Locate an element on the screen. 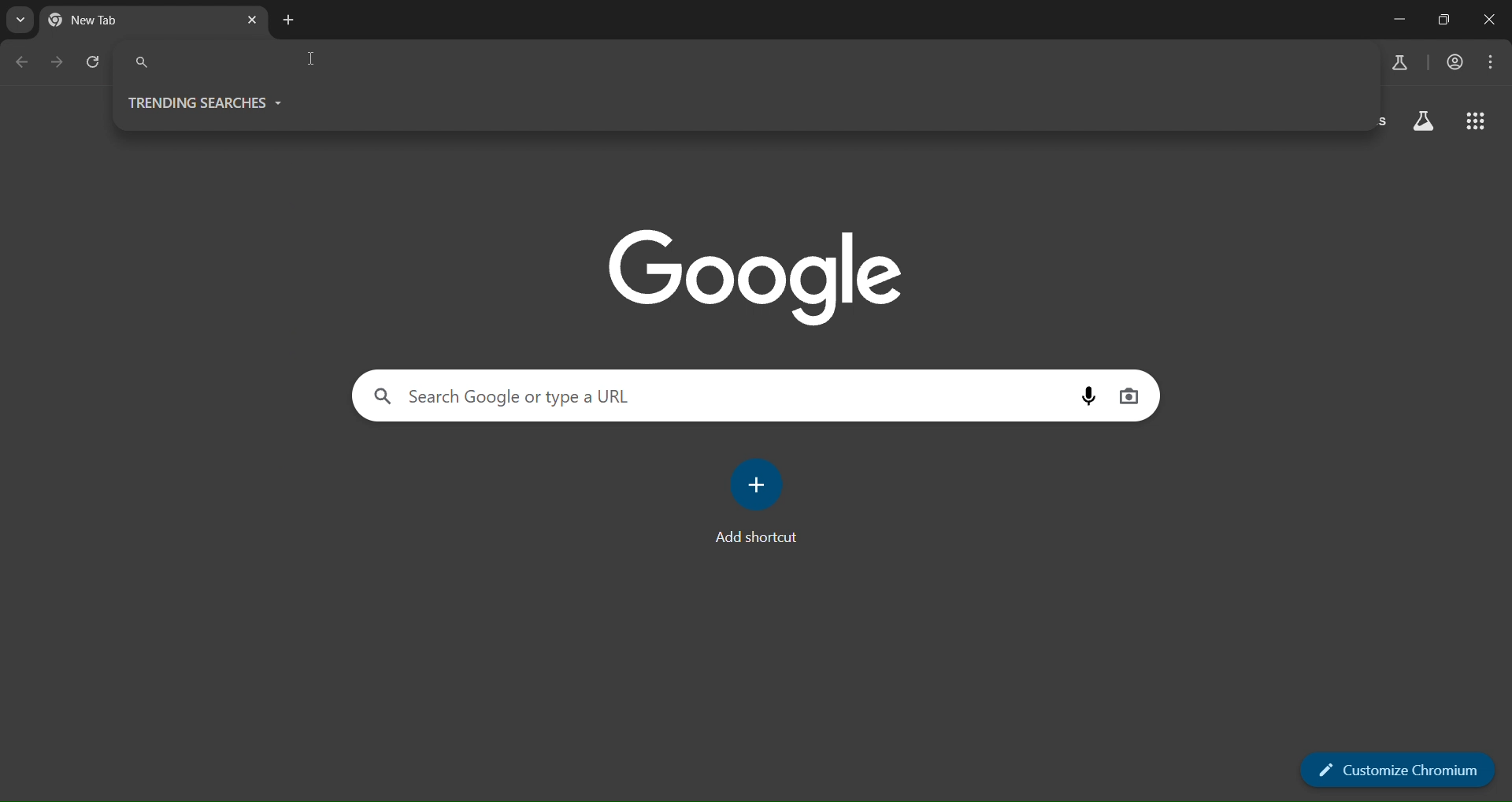  minimize is located at coordinates (1398, 20).